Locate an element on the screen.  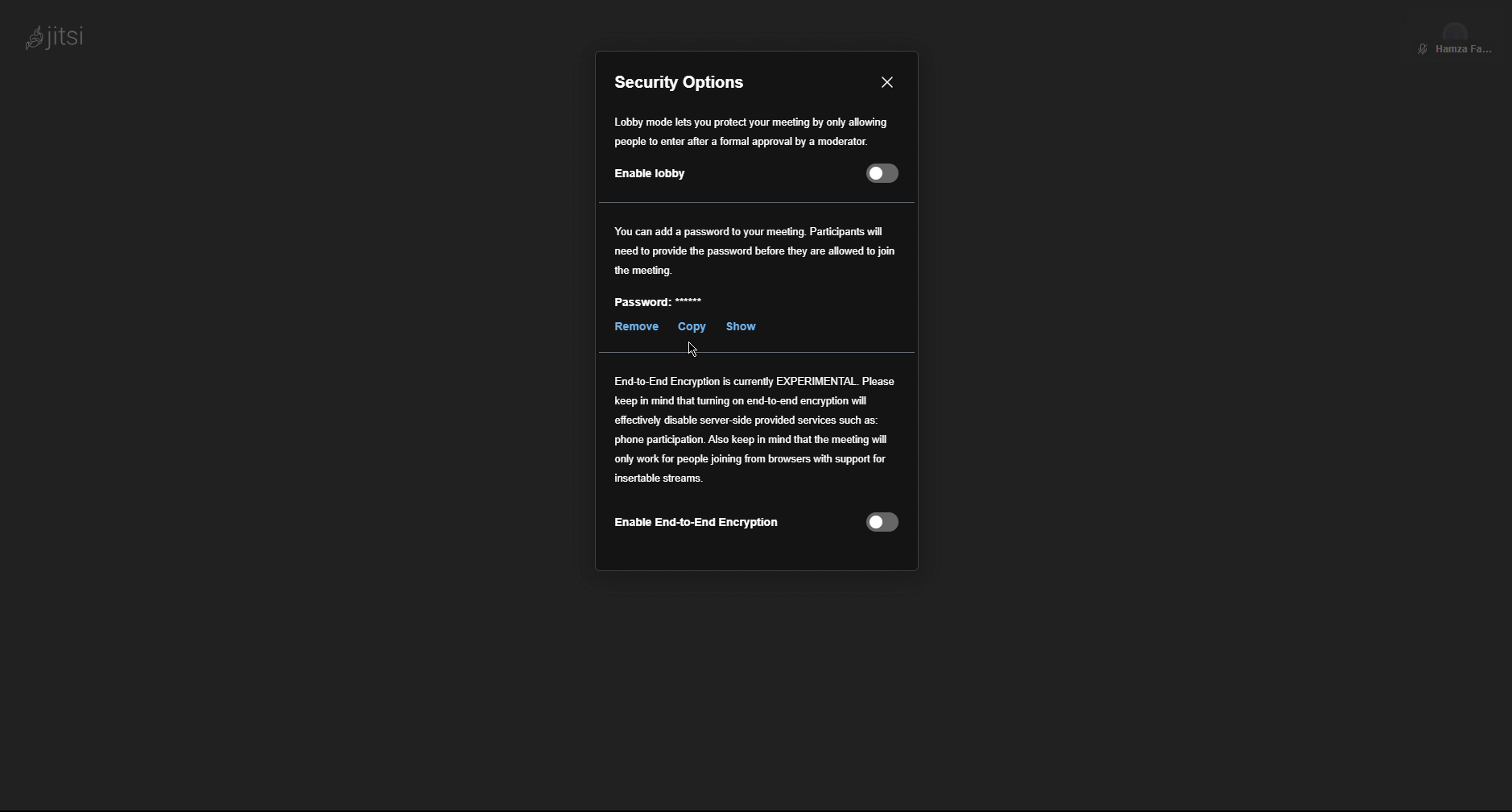
Enable Lobby is located at coordinates (751, 148).